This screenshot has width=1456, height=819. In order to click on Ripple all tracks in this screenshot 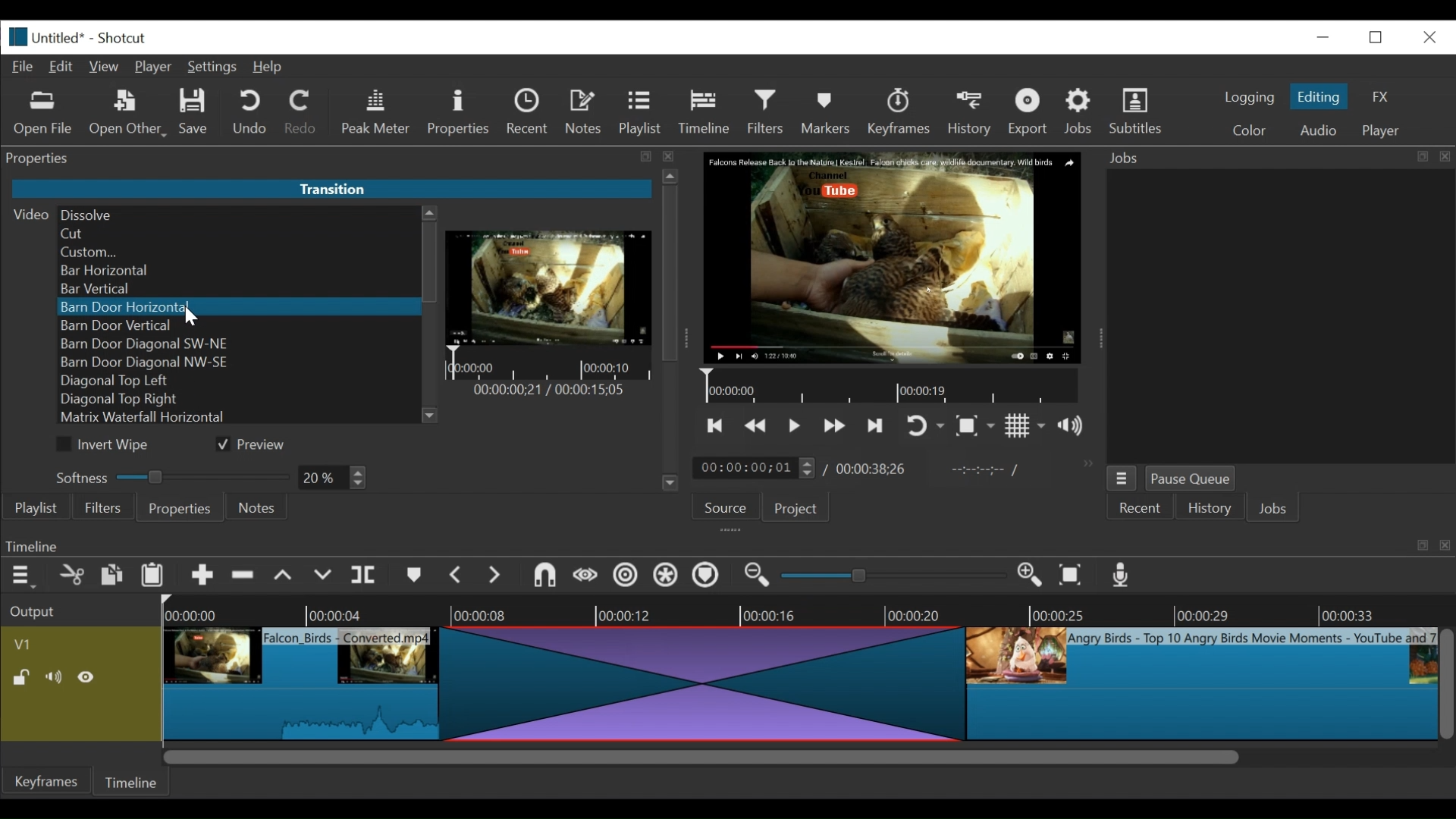, I will do `click(665, 577)`.